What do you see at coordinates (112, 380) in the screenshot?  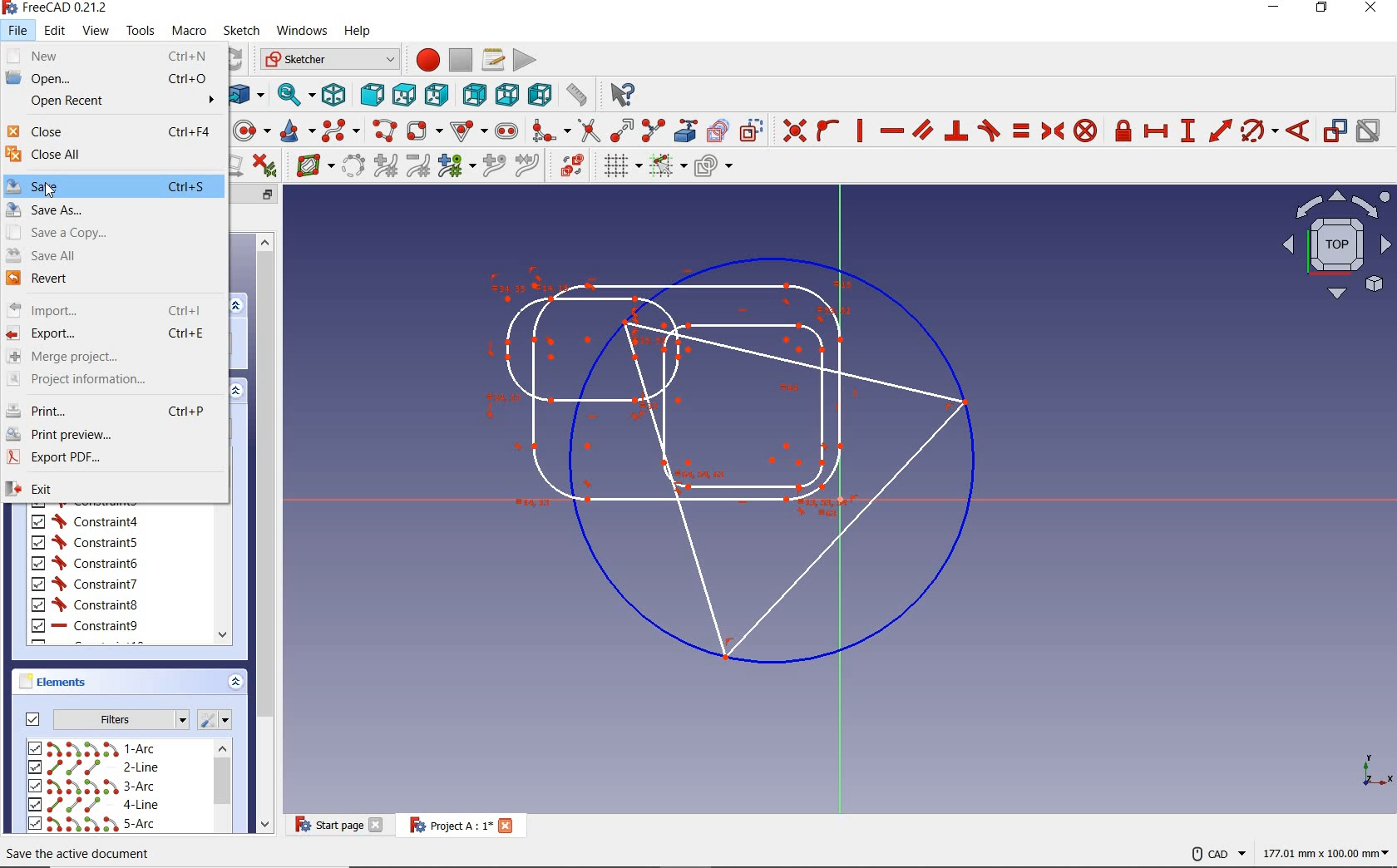 I see `project information` at bounding box center [112, 380].